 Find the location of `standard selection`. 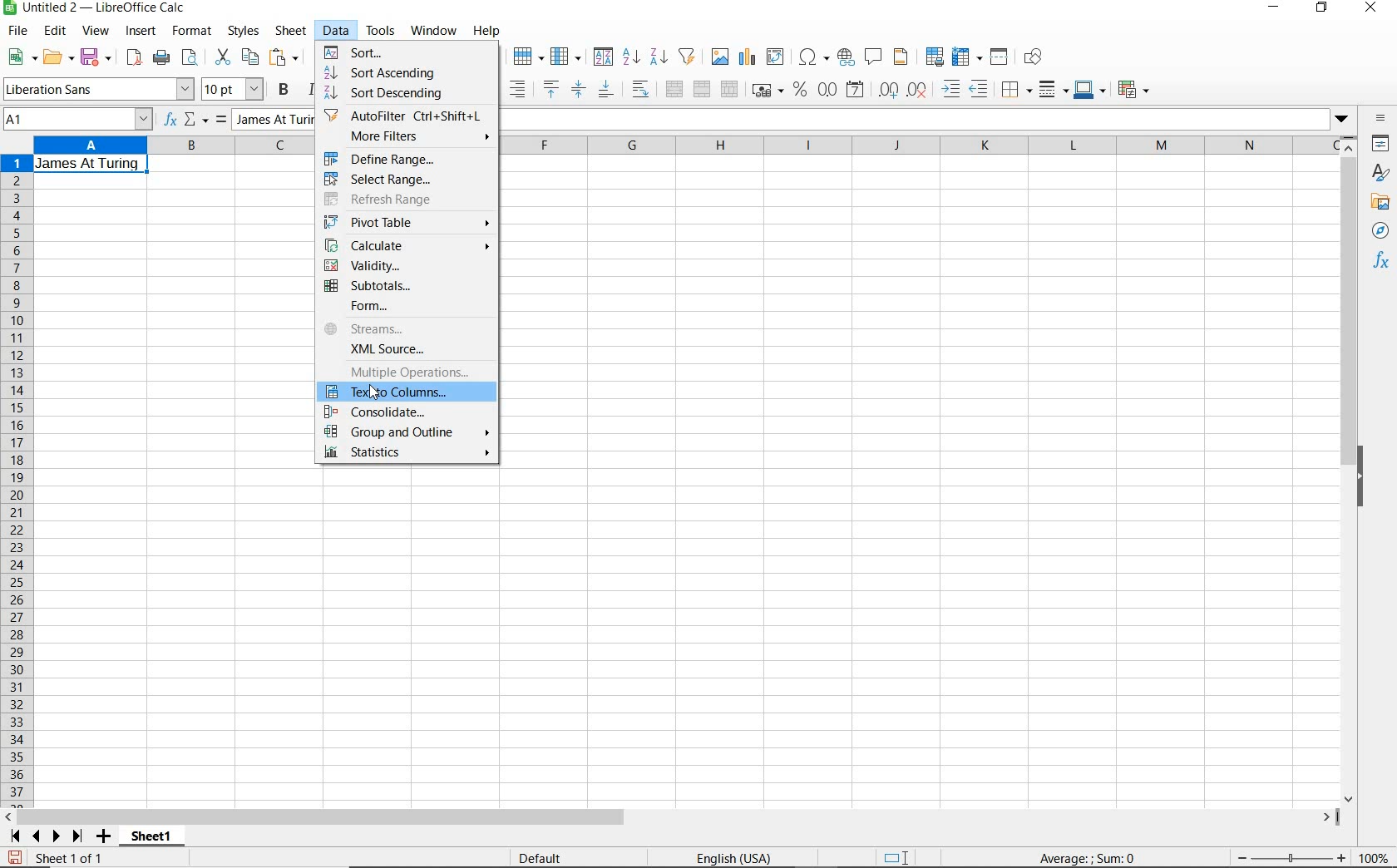

standard selection is located at coordinates (899, 856).